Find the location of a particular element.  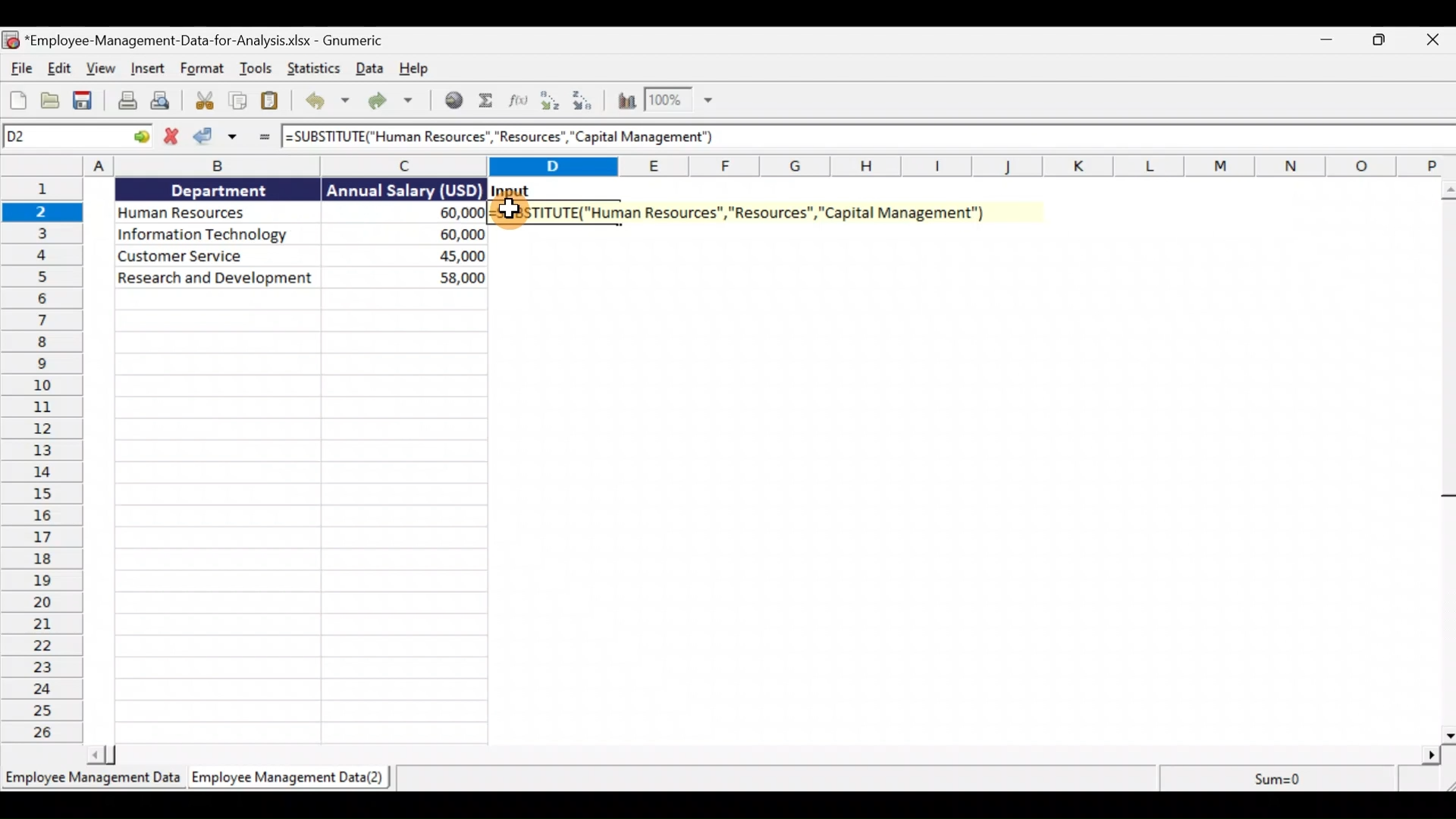

Insert is located at coordinates (149, 67).